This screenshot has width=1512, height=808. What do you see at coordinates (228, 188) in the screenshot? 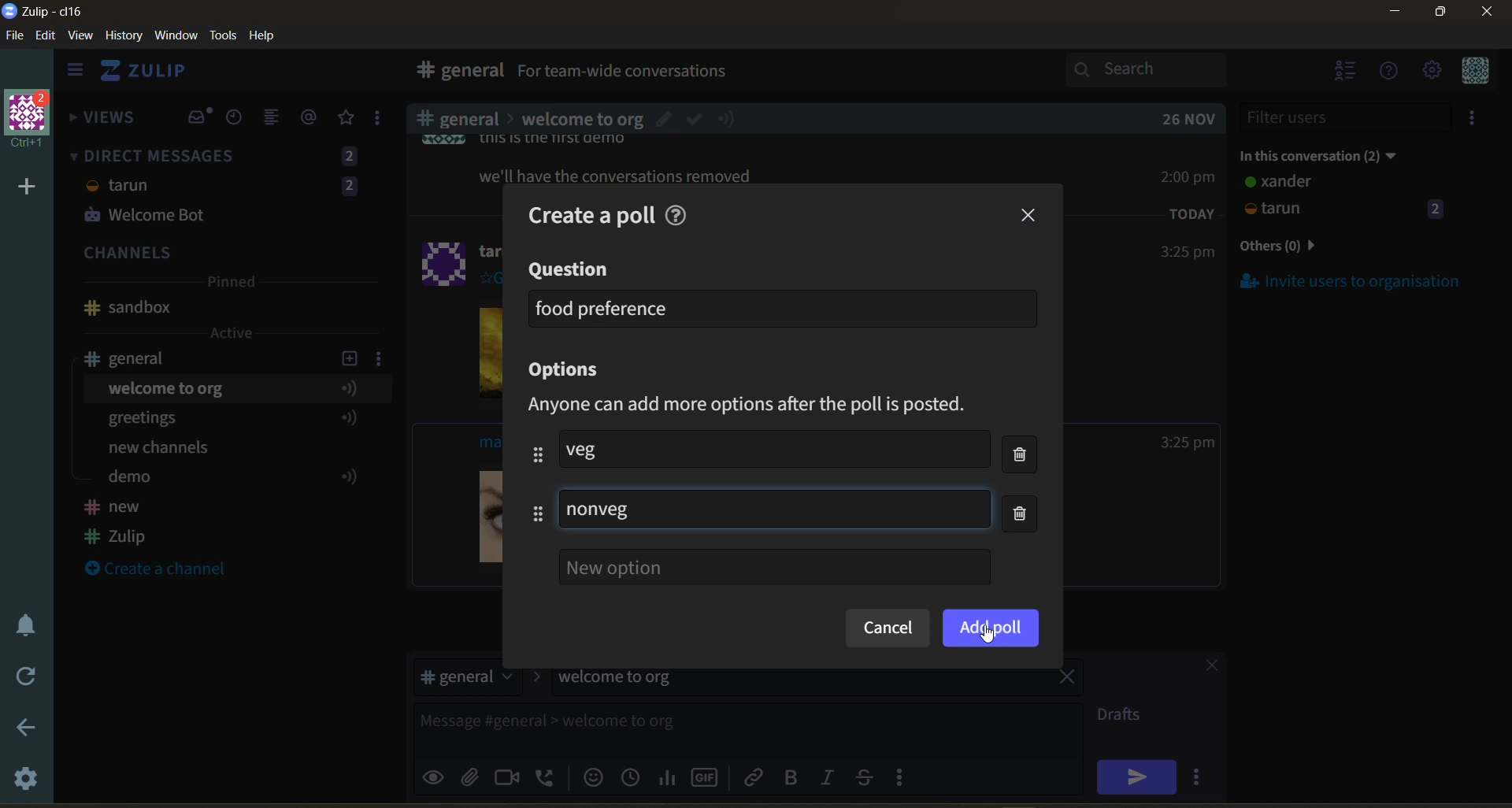
I see `direct messages` at bounding box center [228, 188].